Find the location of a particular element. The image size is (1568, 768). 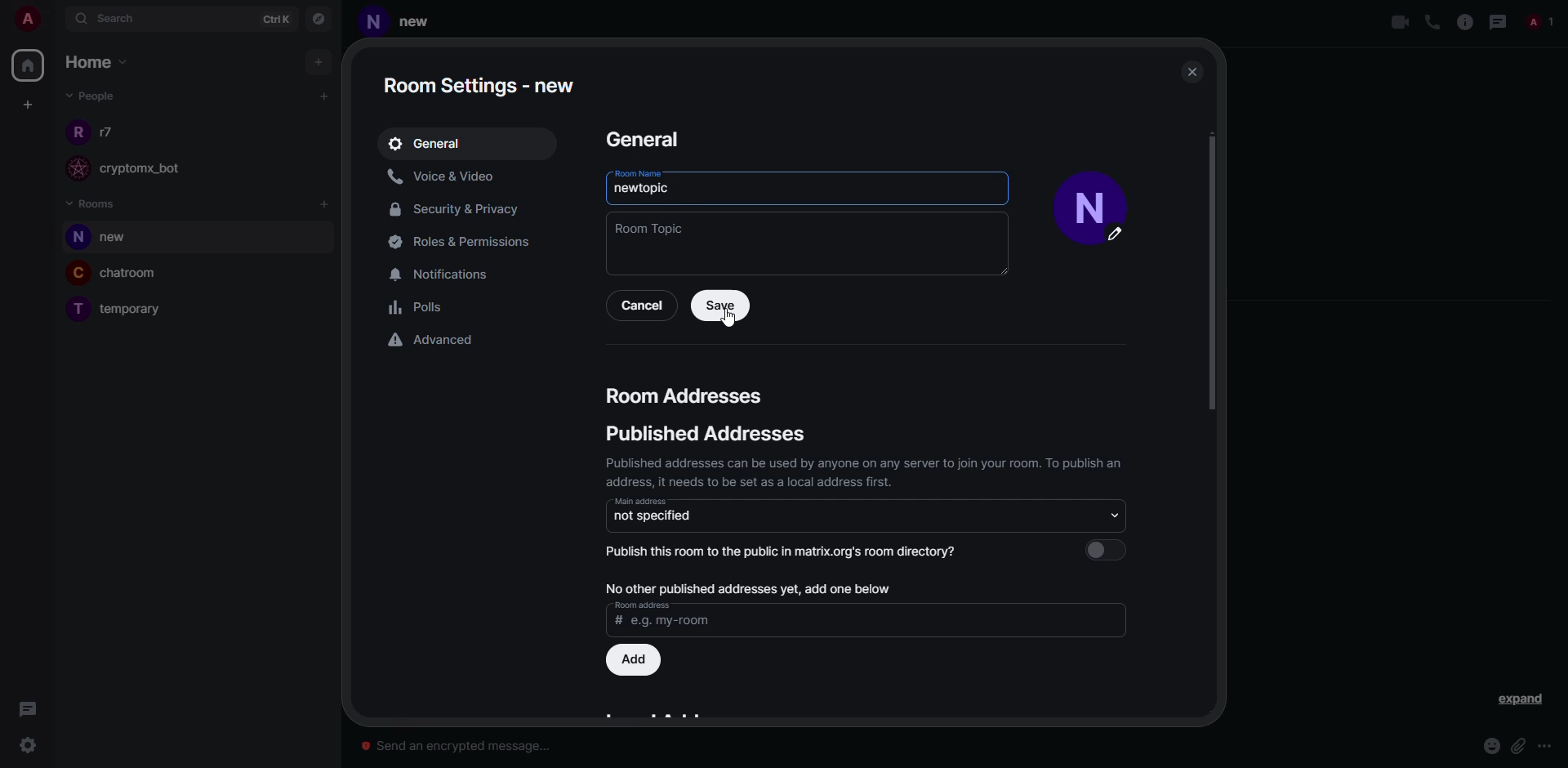

eg is located at coordinates (670, 623).